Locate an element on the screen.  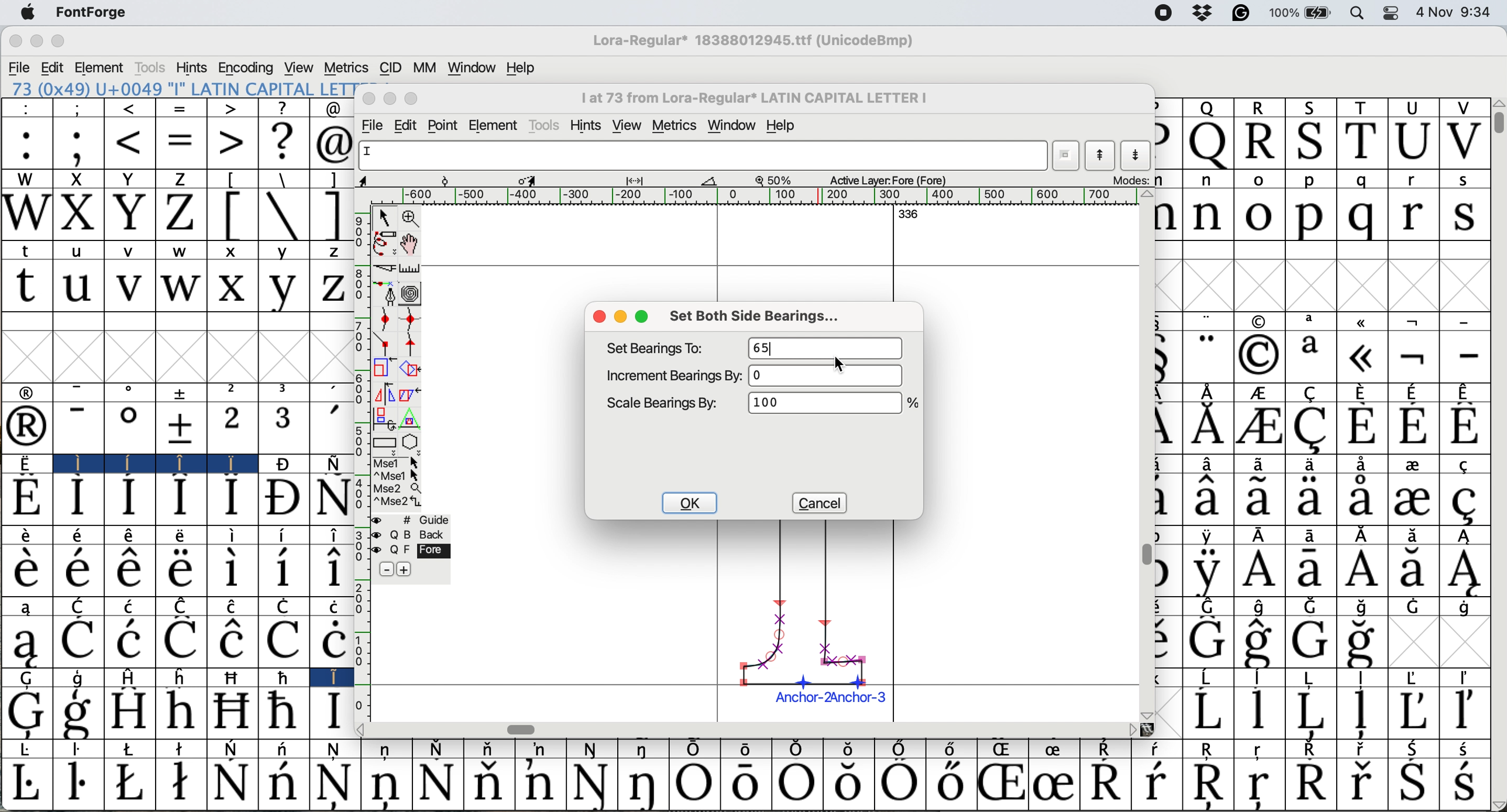
change whether spiro is active or not is located at coordinates (412, 293).